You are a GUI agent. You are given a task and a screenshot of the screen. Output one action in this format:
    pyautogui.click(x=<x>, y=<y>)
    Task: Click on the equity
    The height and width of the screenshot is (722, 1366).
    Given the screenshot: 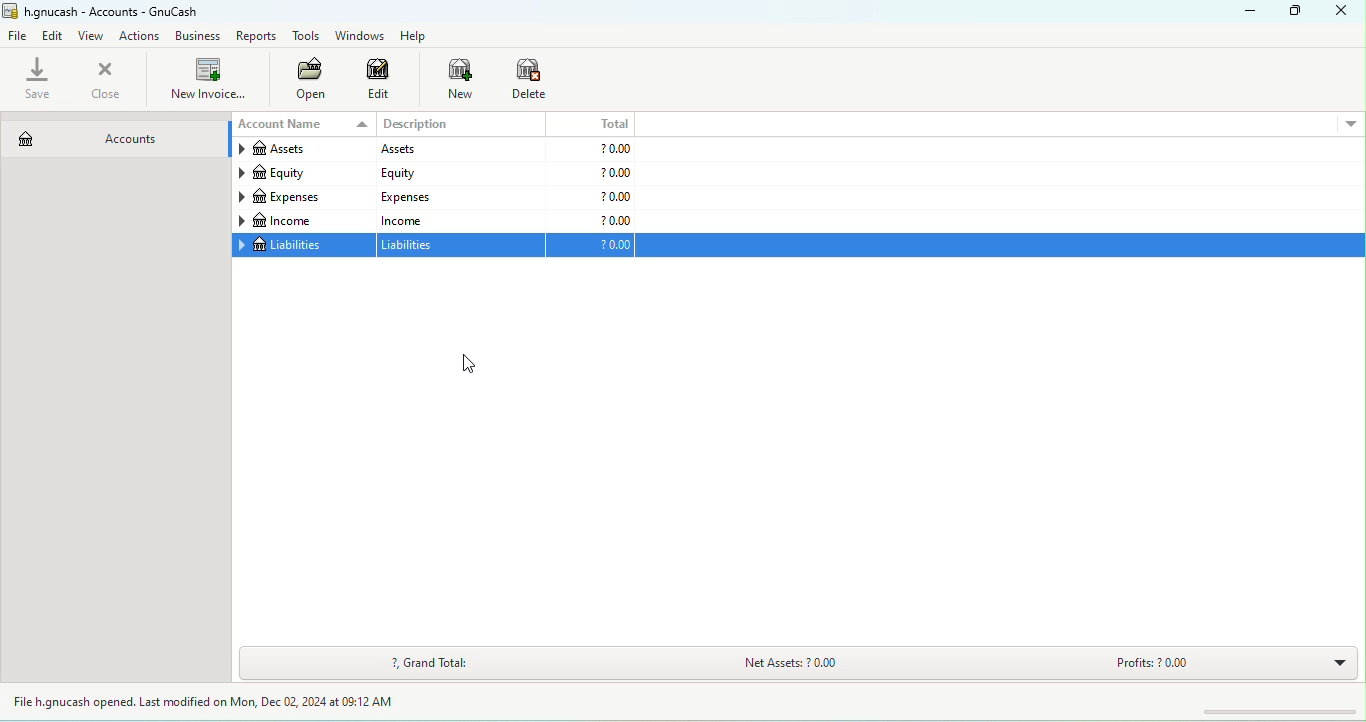 What is the action you would take?
    pyautogui.click(x=458, y=173)
    